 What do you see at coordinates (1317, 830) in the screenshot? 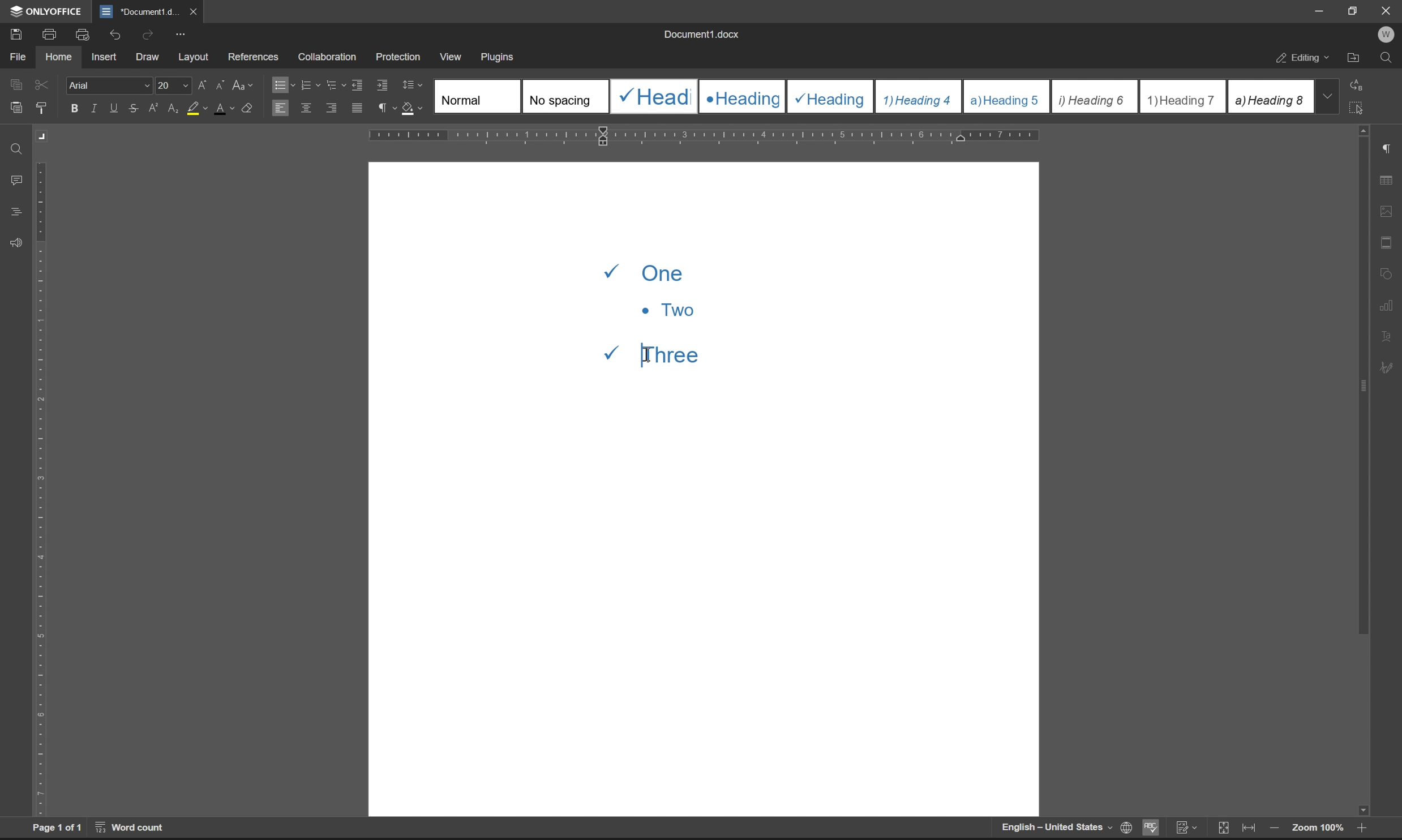
I see `zoom 100%` at bounding box center [1317, 830].